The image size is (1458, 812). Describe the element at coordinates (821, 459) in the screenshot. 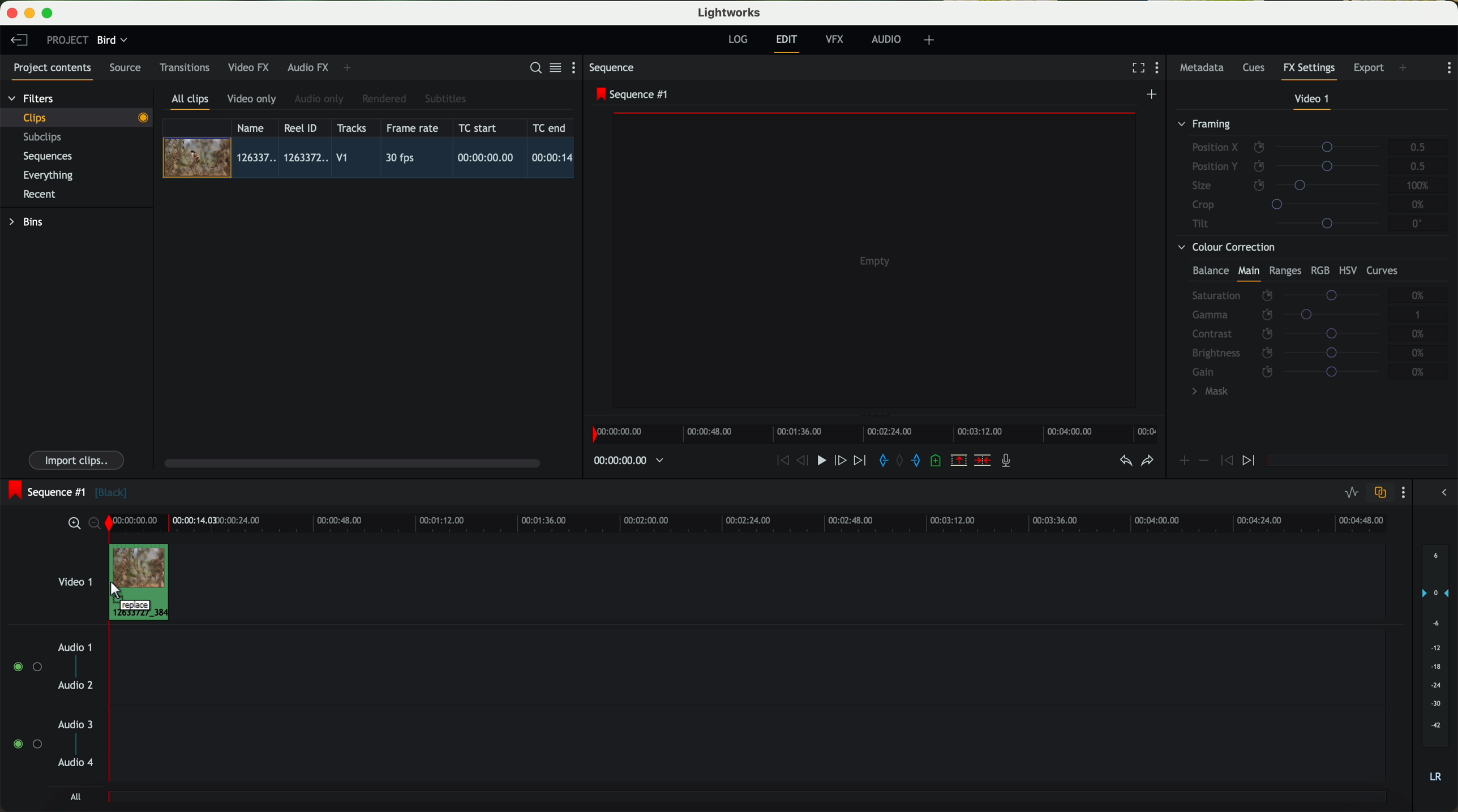

I see `play` at that location.